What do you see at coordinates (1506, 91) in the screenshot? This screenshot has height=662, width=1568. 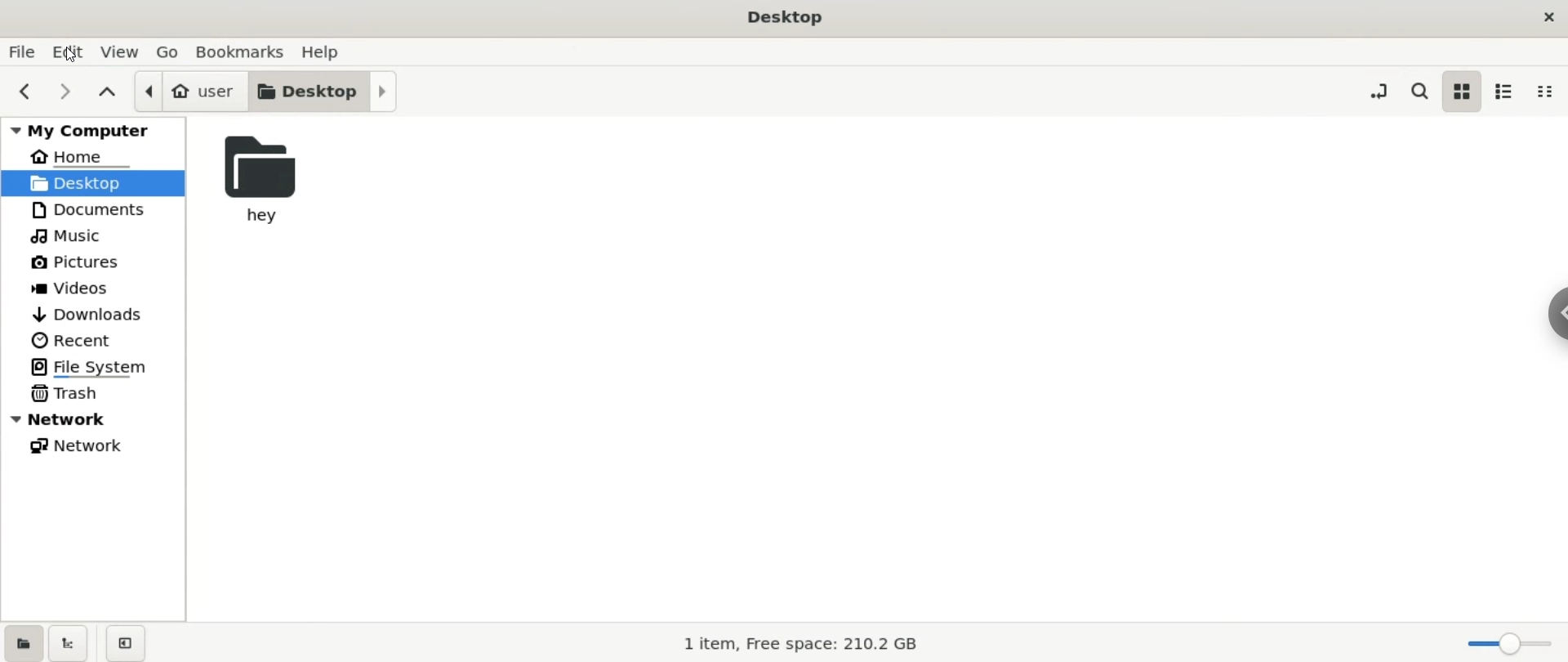 I see `list view` at bounding box center [1506, 91].